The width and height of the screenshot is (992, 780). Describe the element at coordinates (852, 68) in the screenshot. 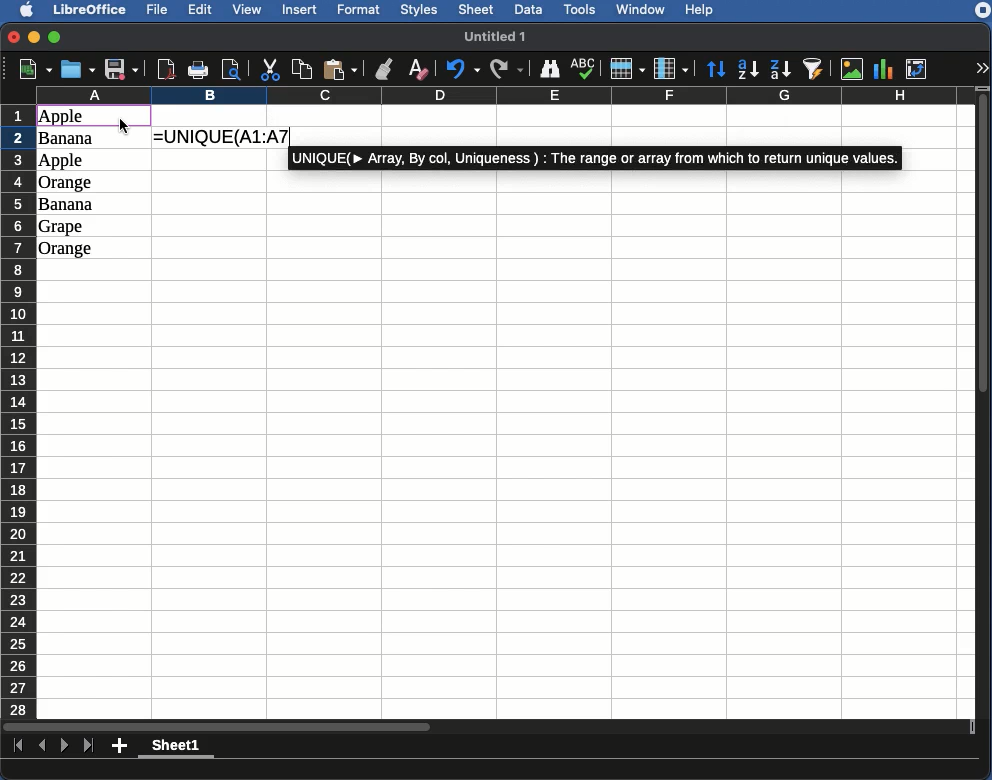

I see `Image` at that location.